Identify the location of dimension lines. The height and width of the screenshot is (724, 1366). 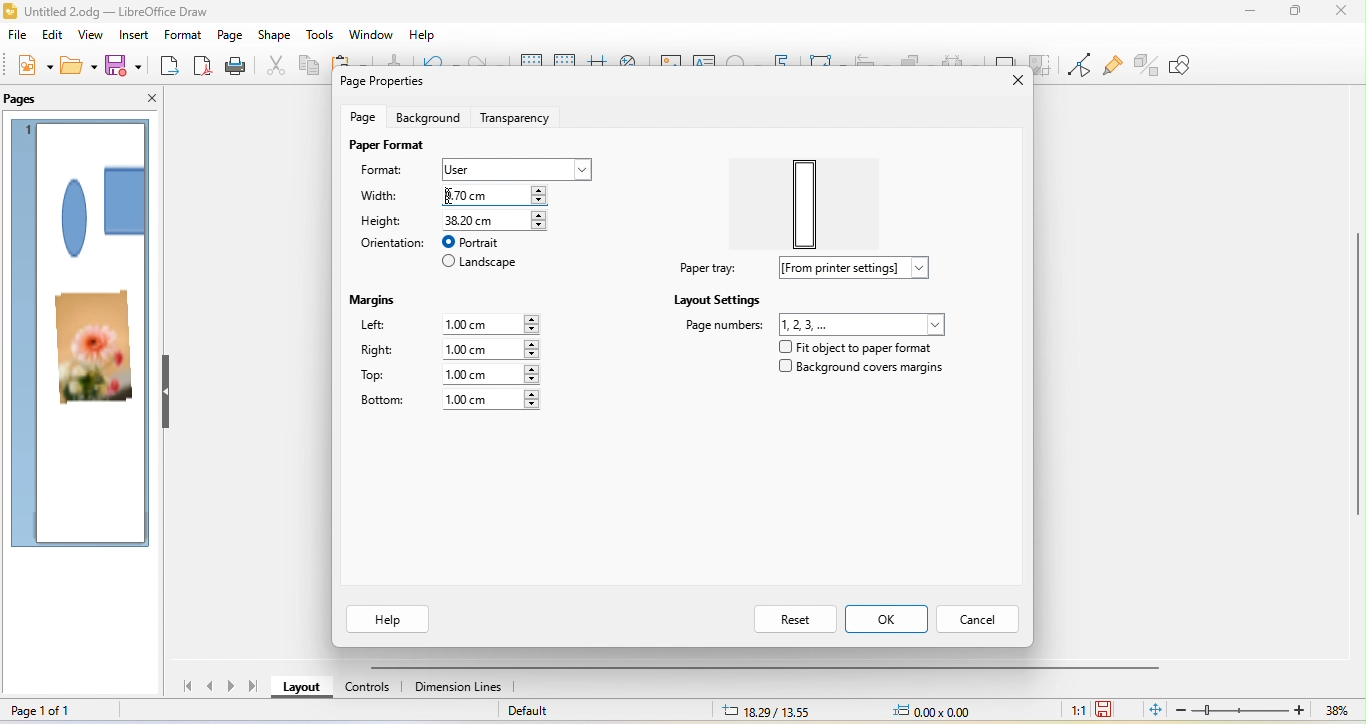
(460, 689).